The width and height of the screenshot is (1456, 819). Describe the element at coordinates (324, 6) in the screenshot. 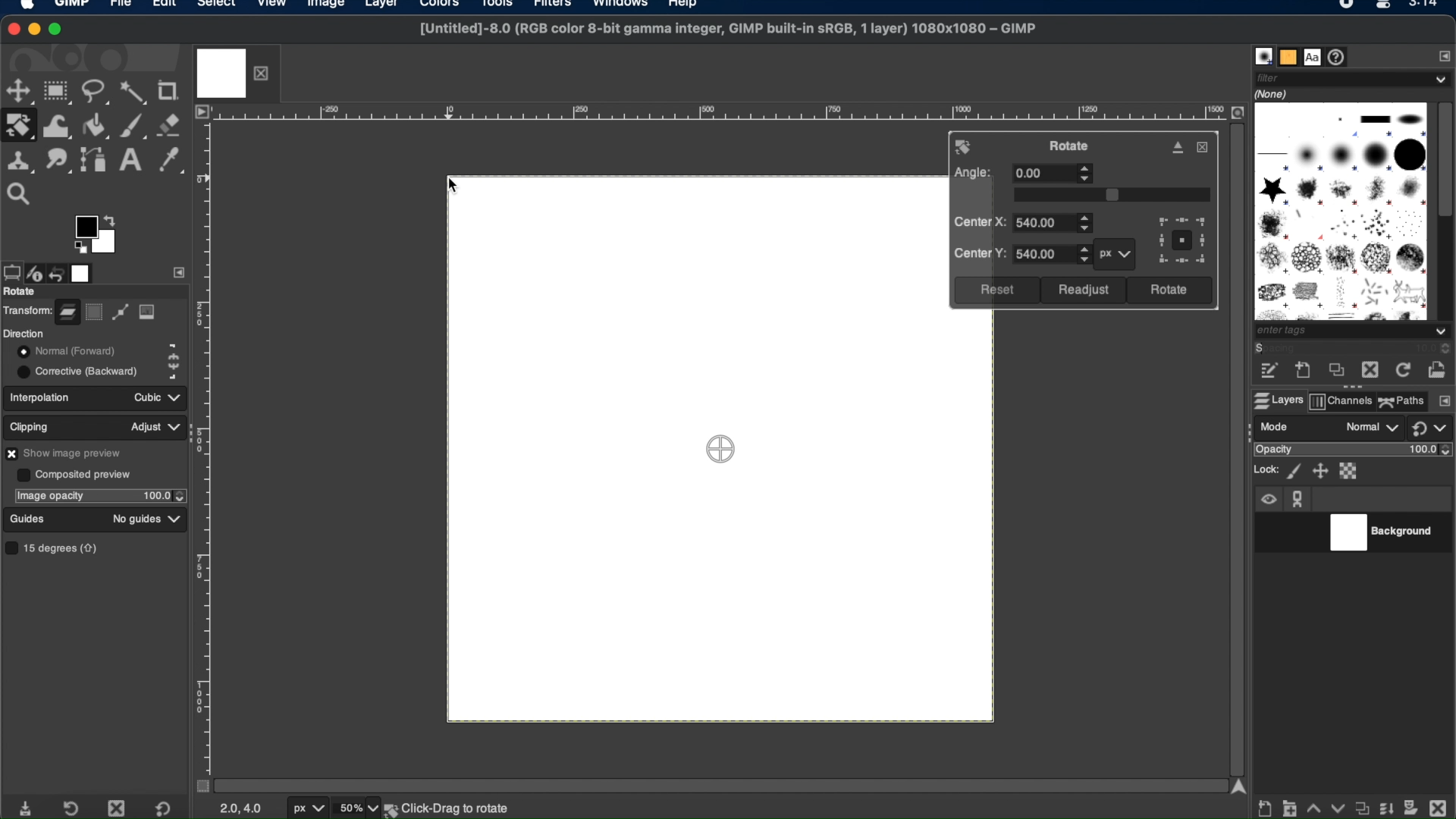

I see `image` at that location.